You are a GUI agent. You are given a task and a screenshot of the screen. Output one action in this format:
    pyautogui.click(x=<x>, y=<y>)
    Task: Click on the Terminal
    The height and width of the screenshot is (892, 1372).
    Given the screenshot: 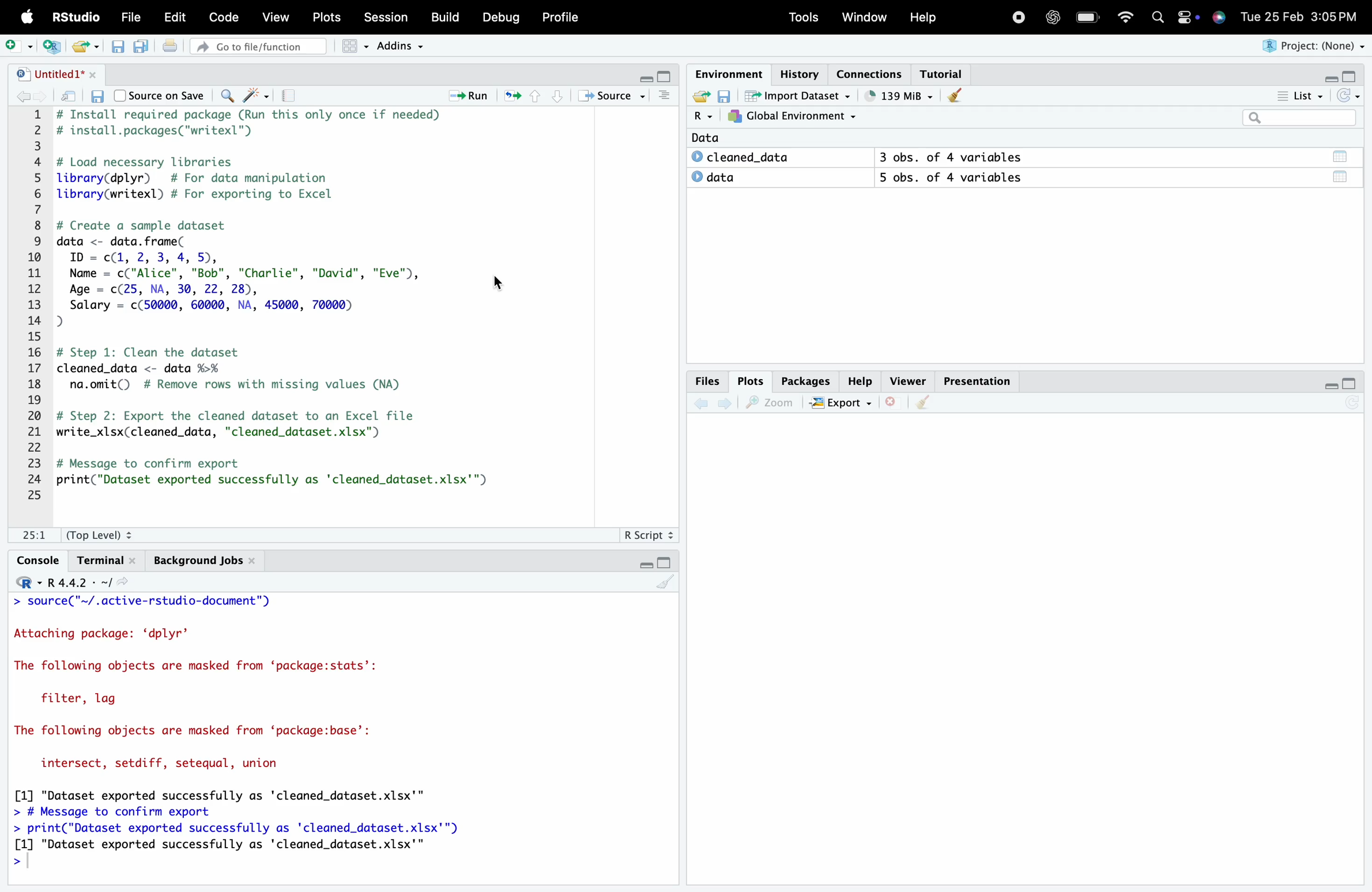 What is the action you would take?
    pyautogui.click(x=107, y=559)
    